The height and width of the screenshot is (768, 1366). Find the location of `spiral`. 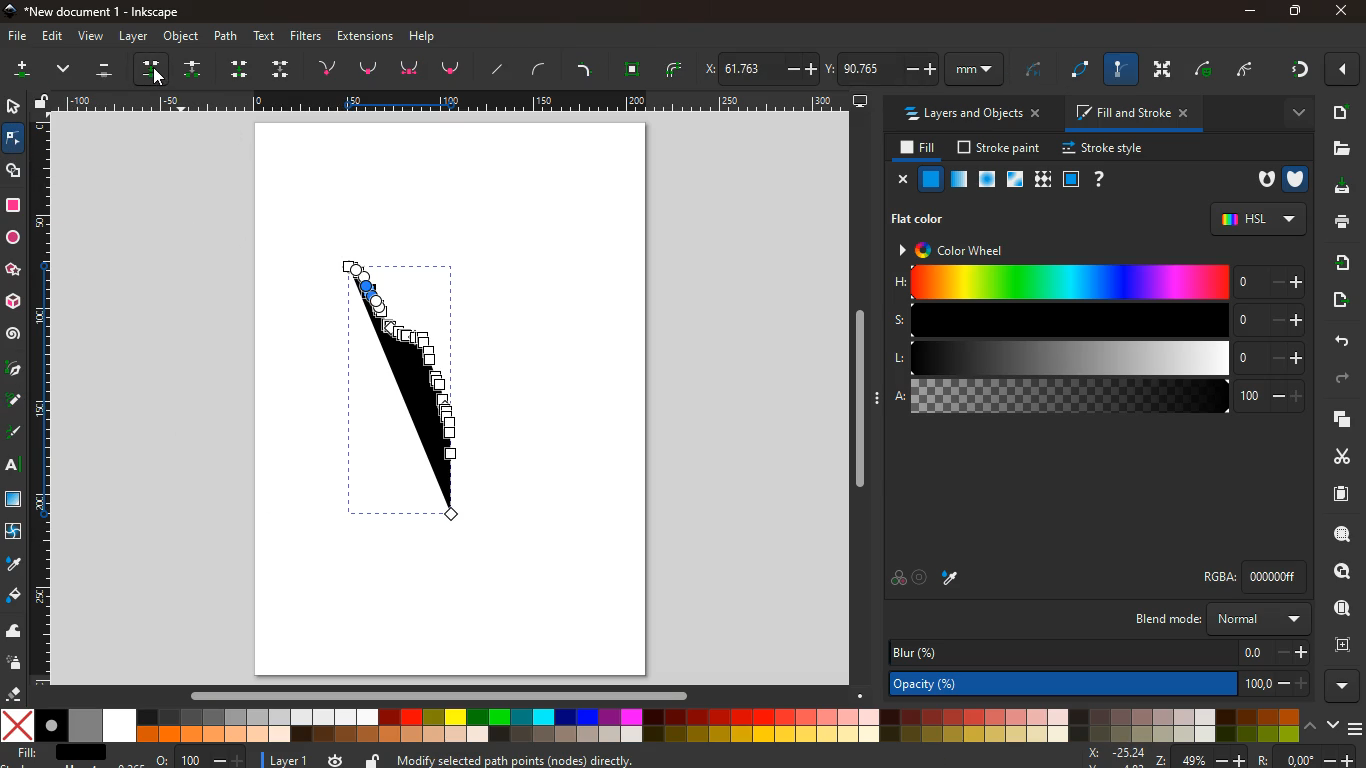

spiral is located at coordinates (13, 334).